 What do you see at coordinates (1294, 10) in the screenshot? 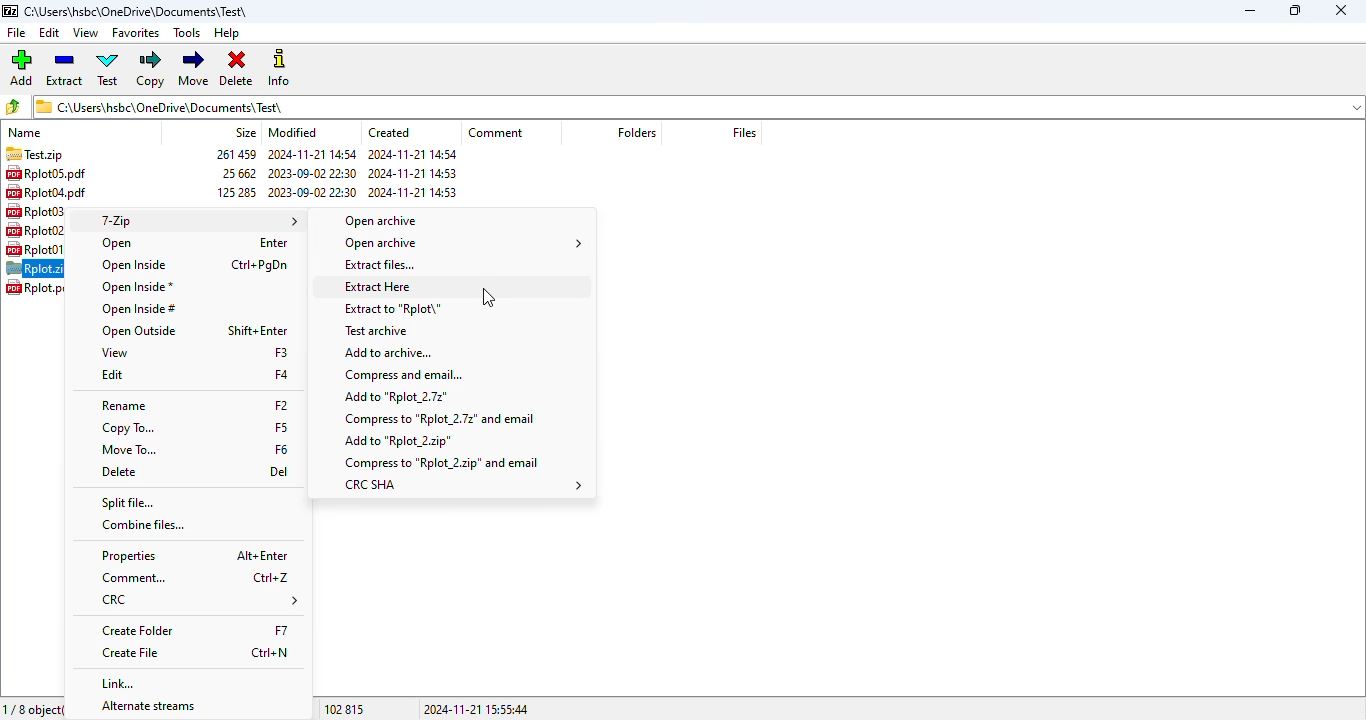
I see `maximize` at bounding box center [1294, 10].